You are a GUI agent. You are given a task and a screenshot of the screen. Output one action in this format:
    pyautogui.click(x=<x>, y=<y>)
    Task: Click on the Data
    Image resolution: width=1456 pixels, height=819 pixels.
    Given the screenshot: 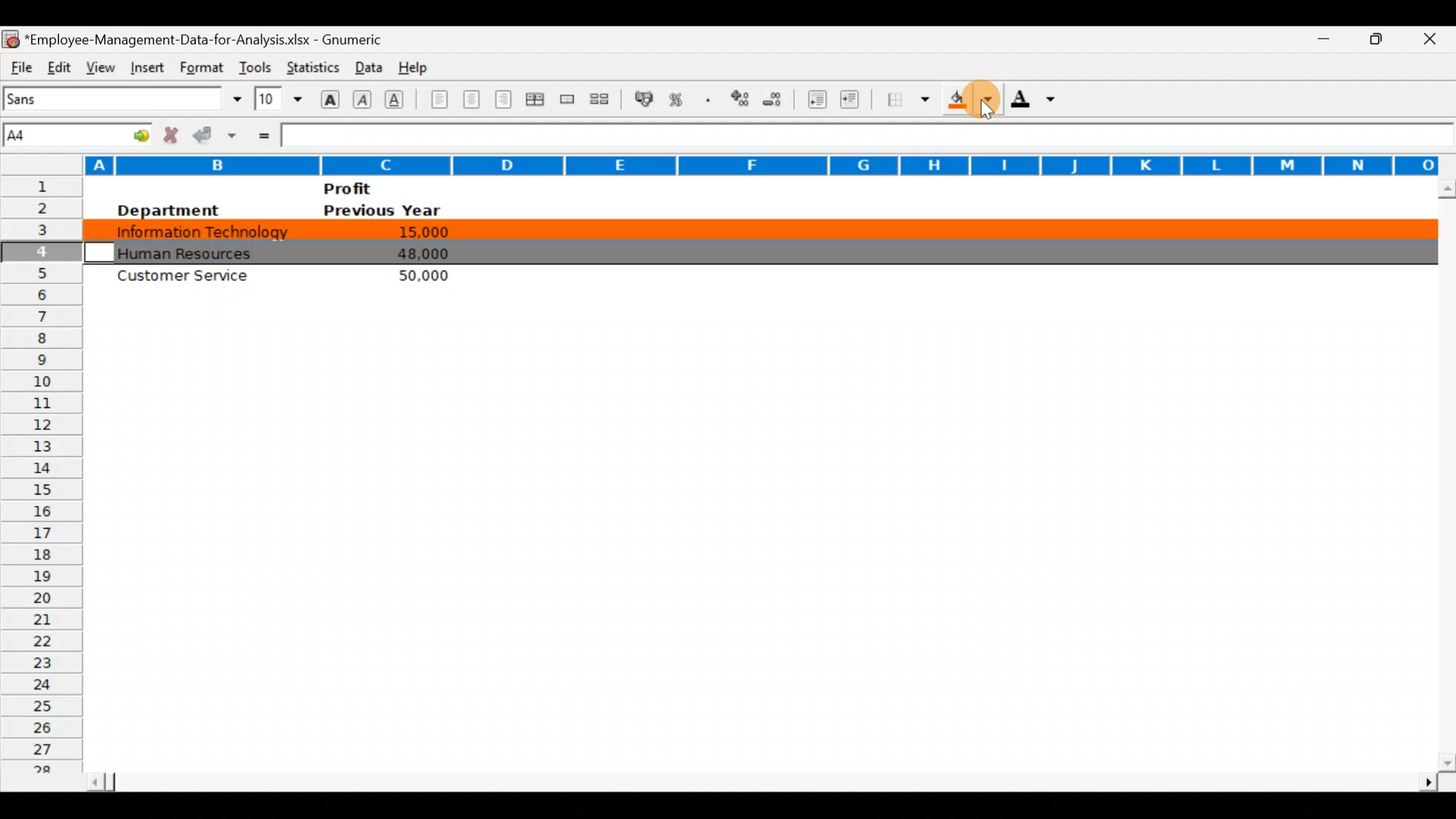 What is the action you would take?
    pyautogui.click(x=365, y=64)
    